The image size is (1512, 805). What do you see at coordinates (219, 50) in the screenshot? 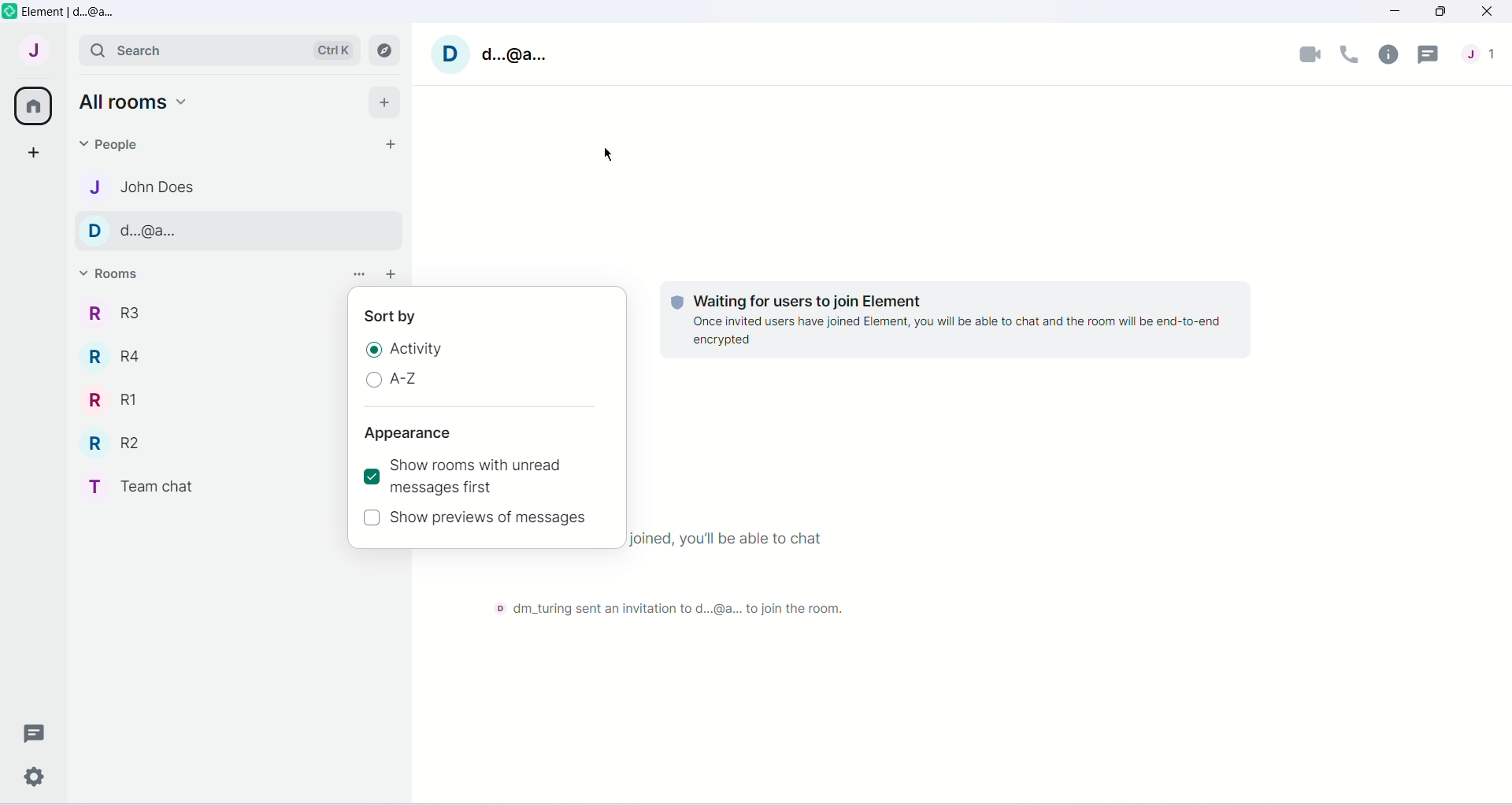
I see `Search bar` at bounding box center [219, 50].